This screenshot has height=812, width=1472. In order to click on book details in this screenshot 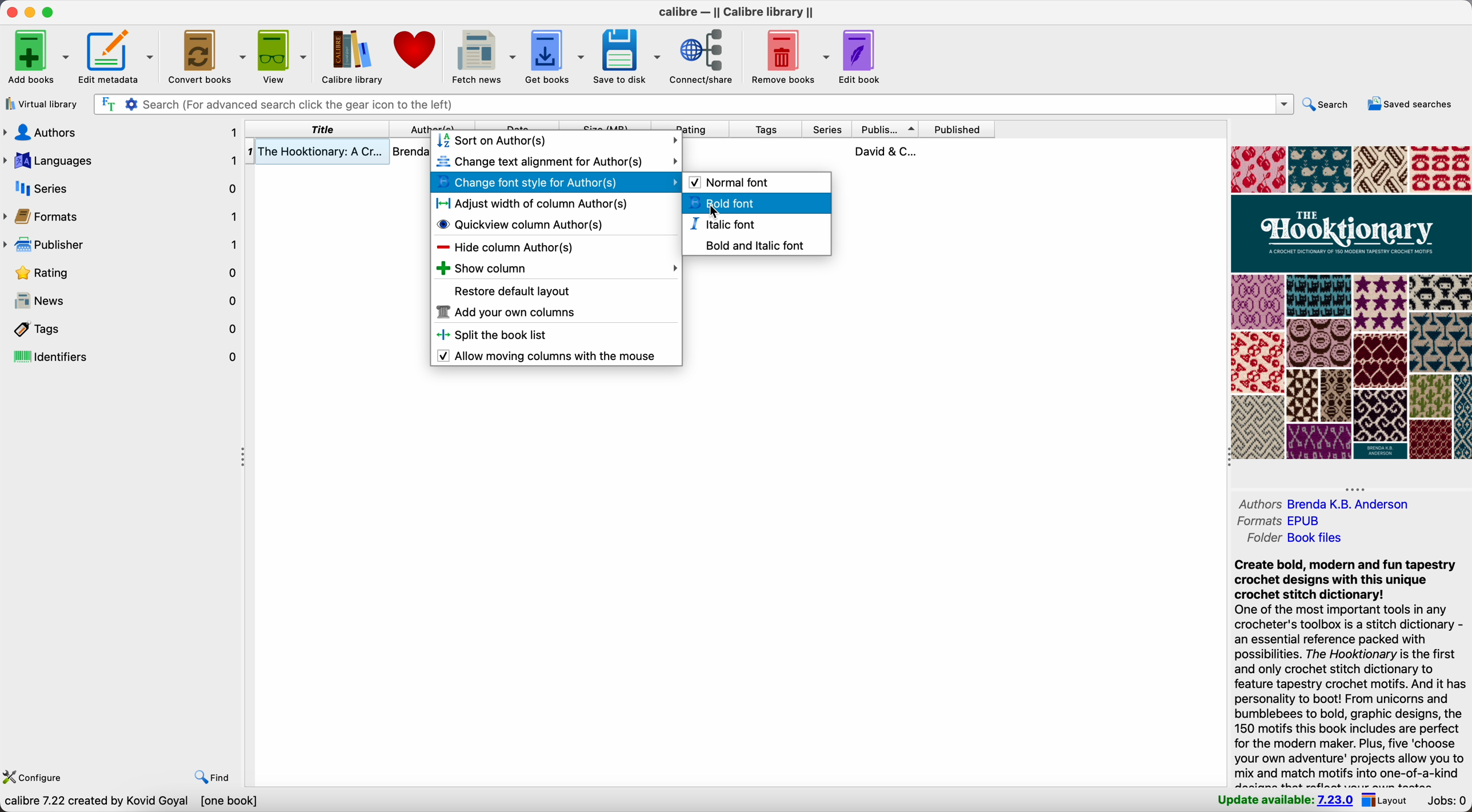, I will do `click(840, 151)`.